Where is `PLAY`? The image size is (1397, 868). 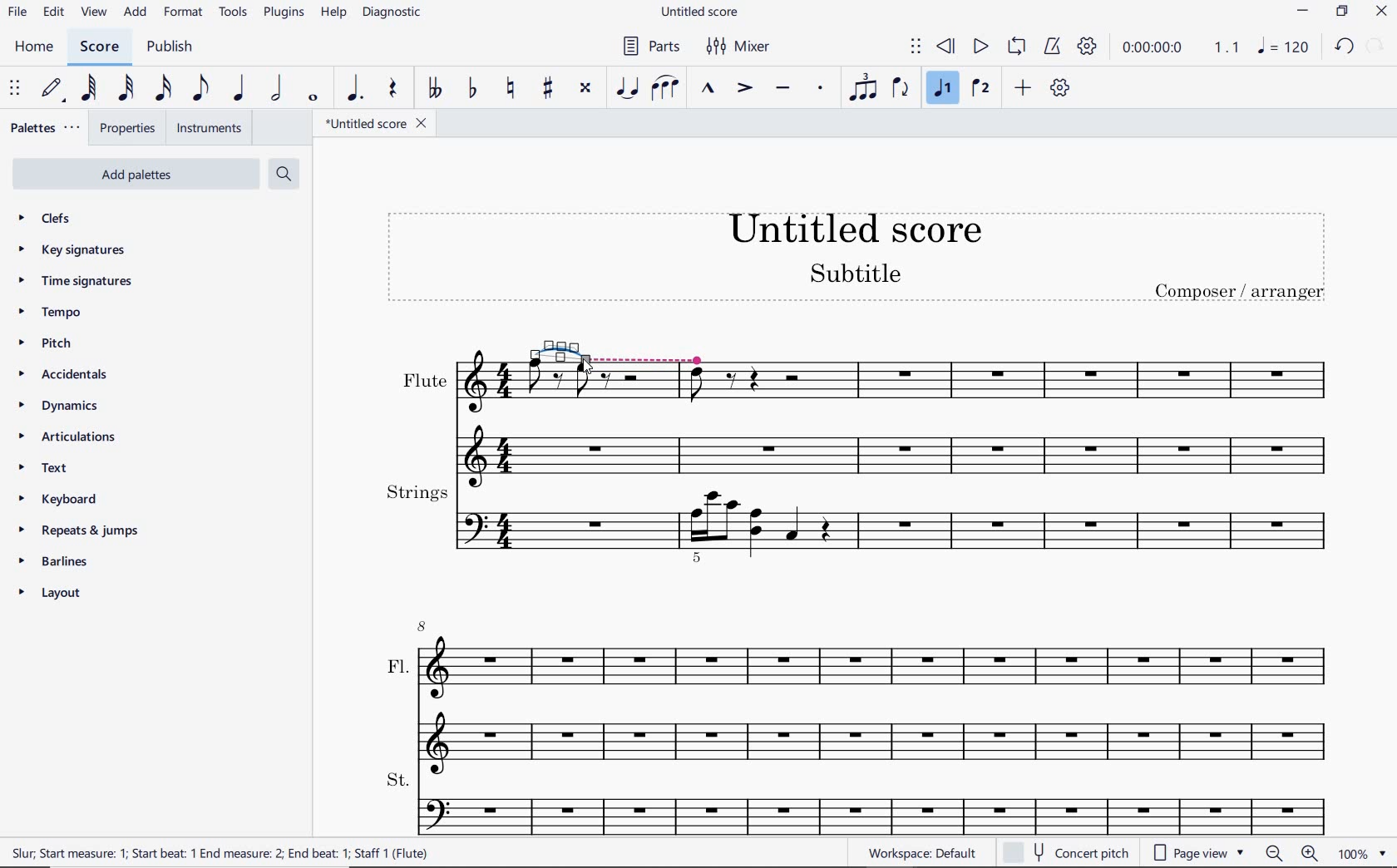
PLAY is located at coordinates (980, 45).